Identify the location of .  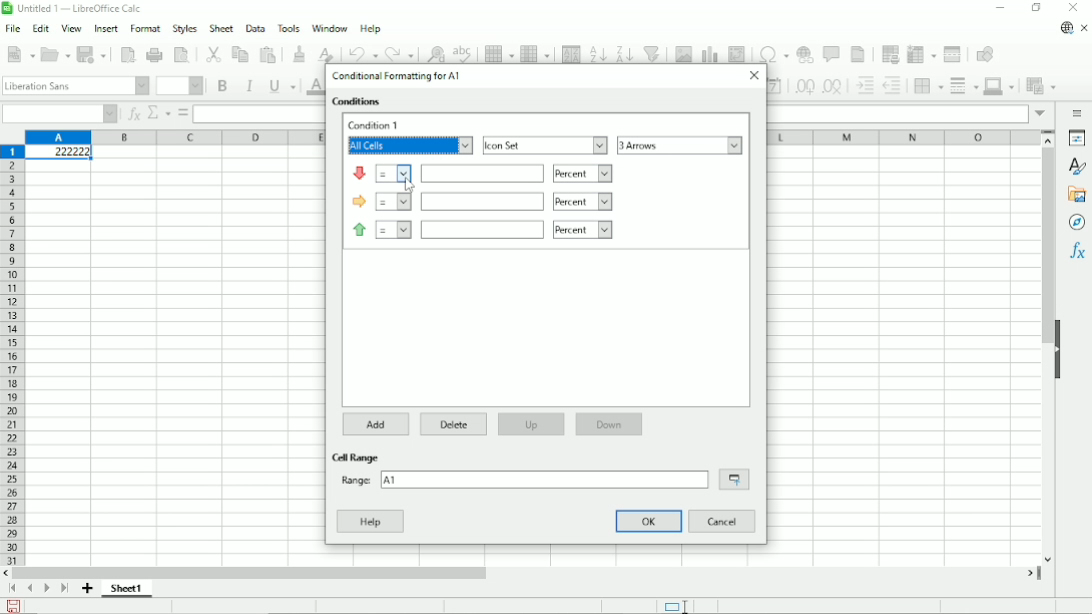
(1073, 8).